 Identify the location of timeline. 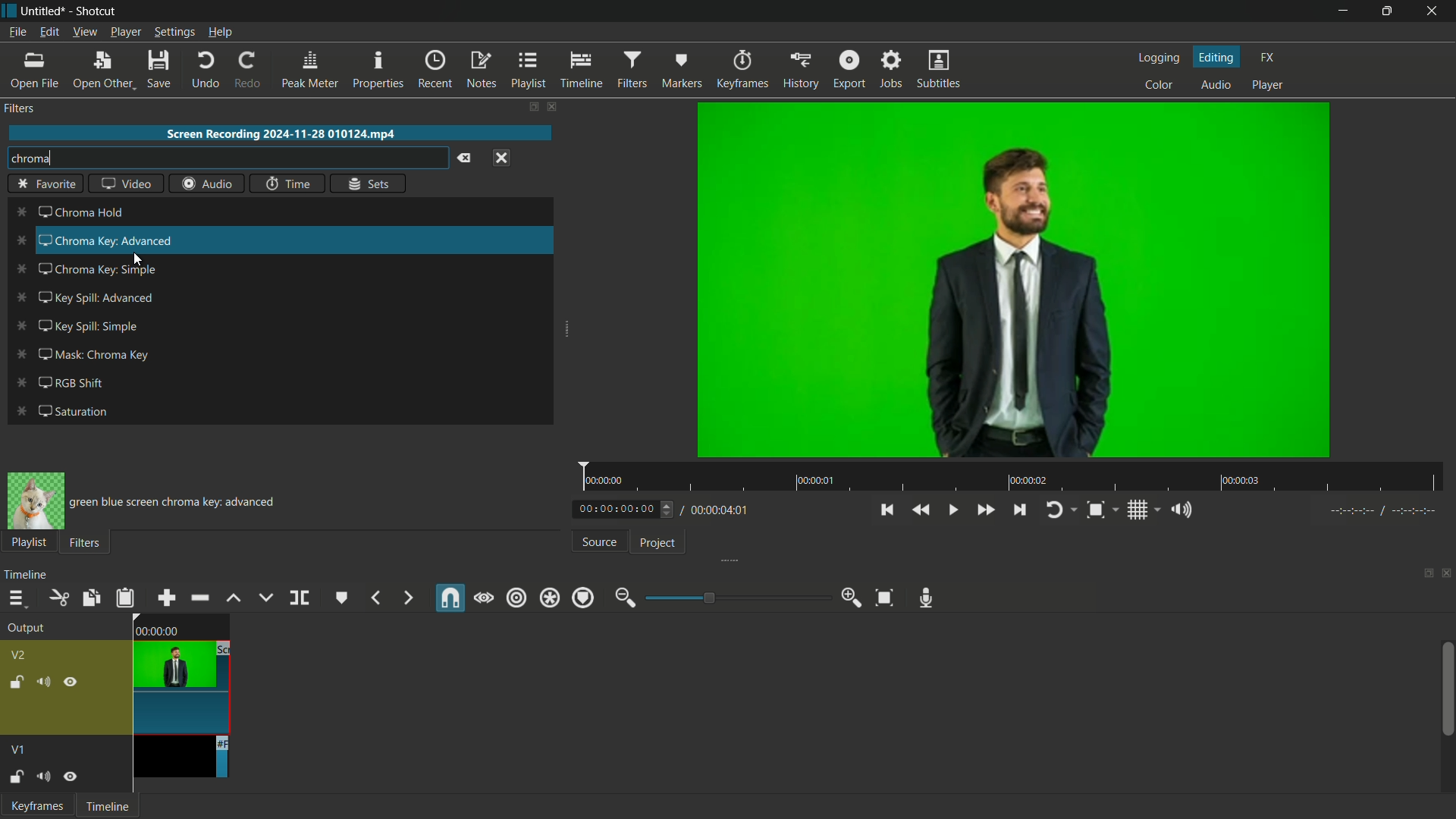
(581, 71).